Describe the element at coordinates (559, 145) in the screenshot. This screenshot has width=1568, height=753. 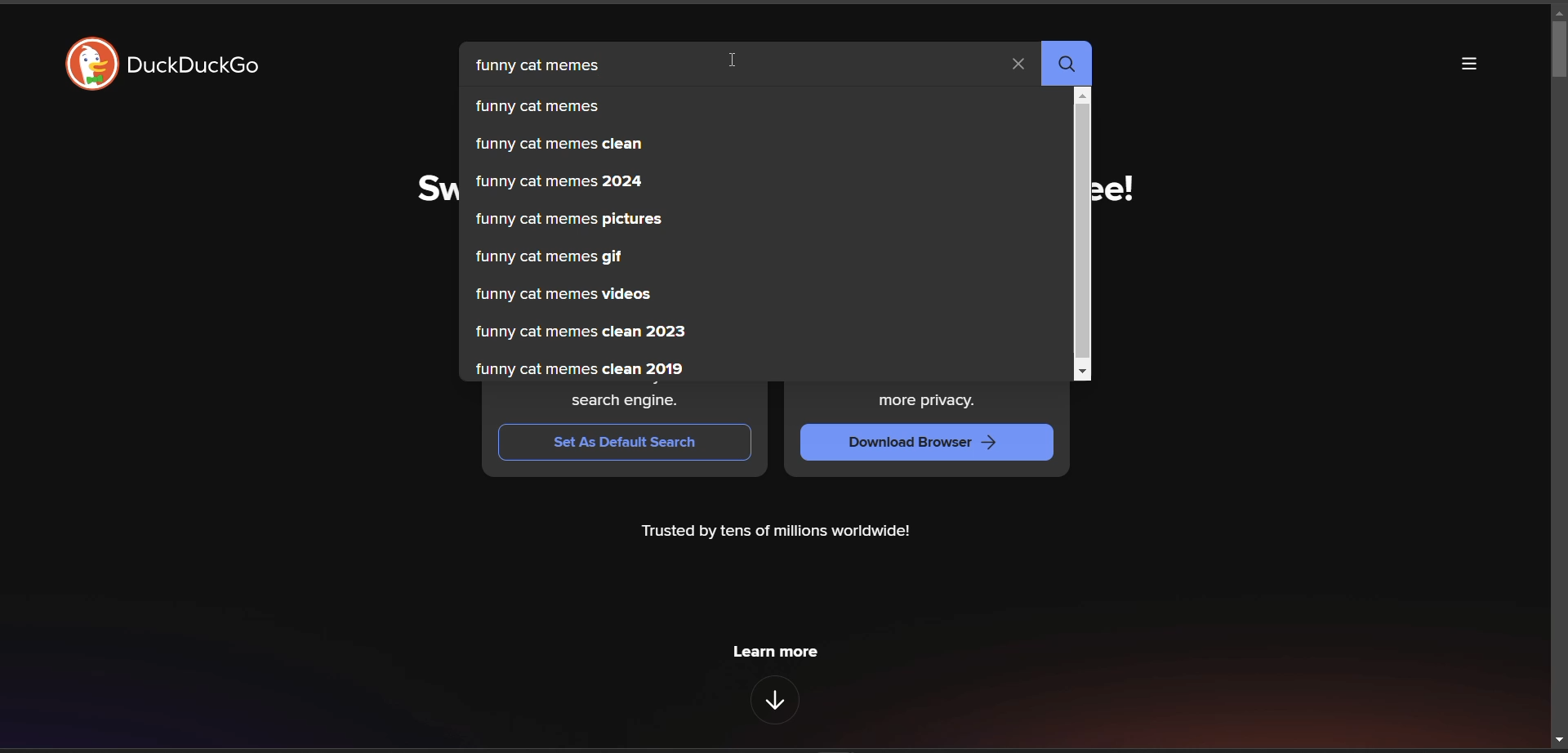
I see `funny cat memes clean` at that location.